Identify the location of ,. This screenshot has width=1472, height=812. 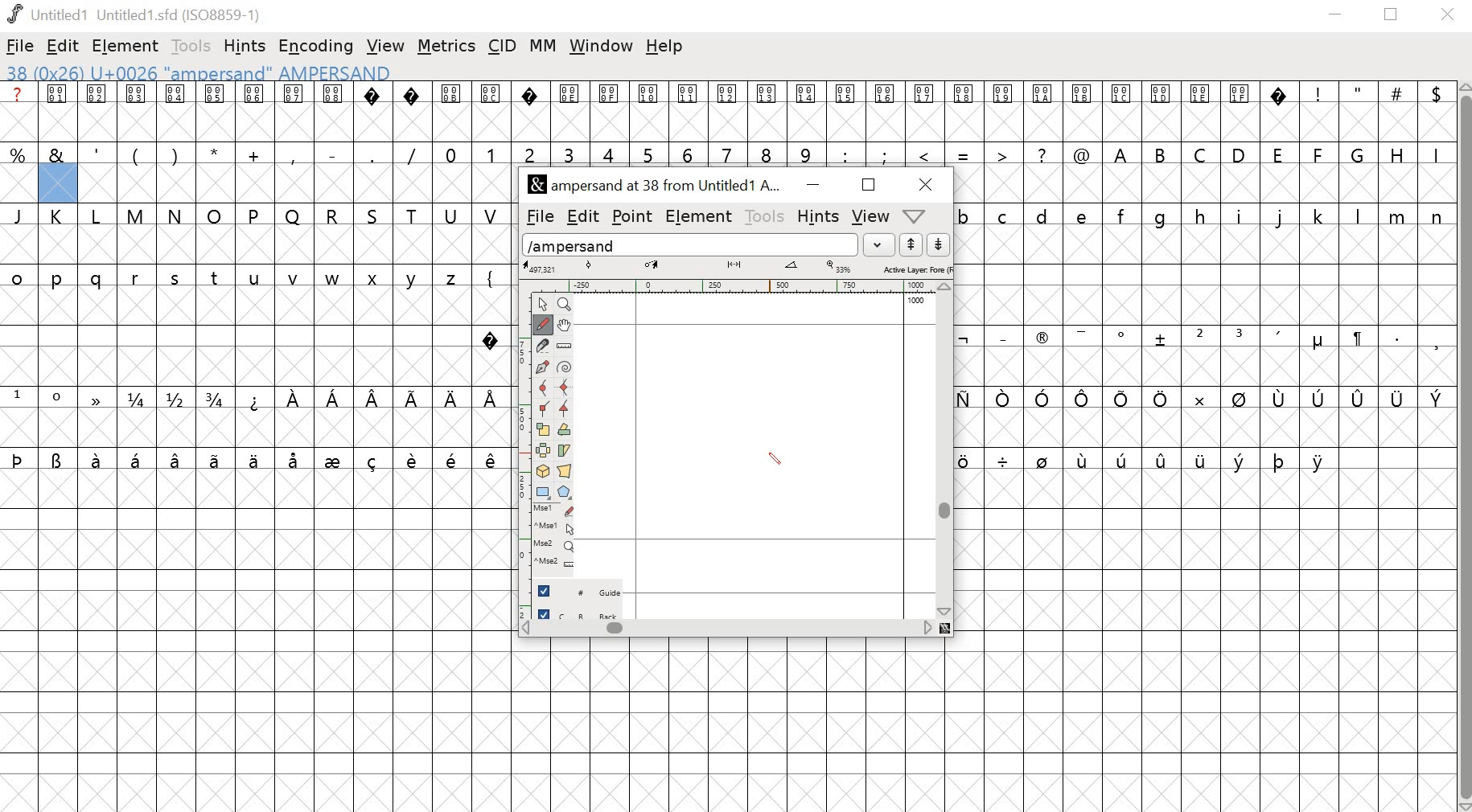
(1436, 342).